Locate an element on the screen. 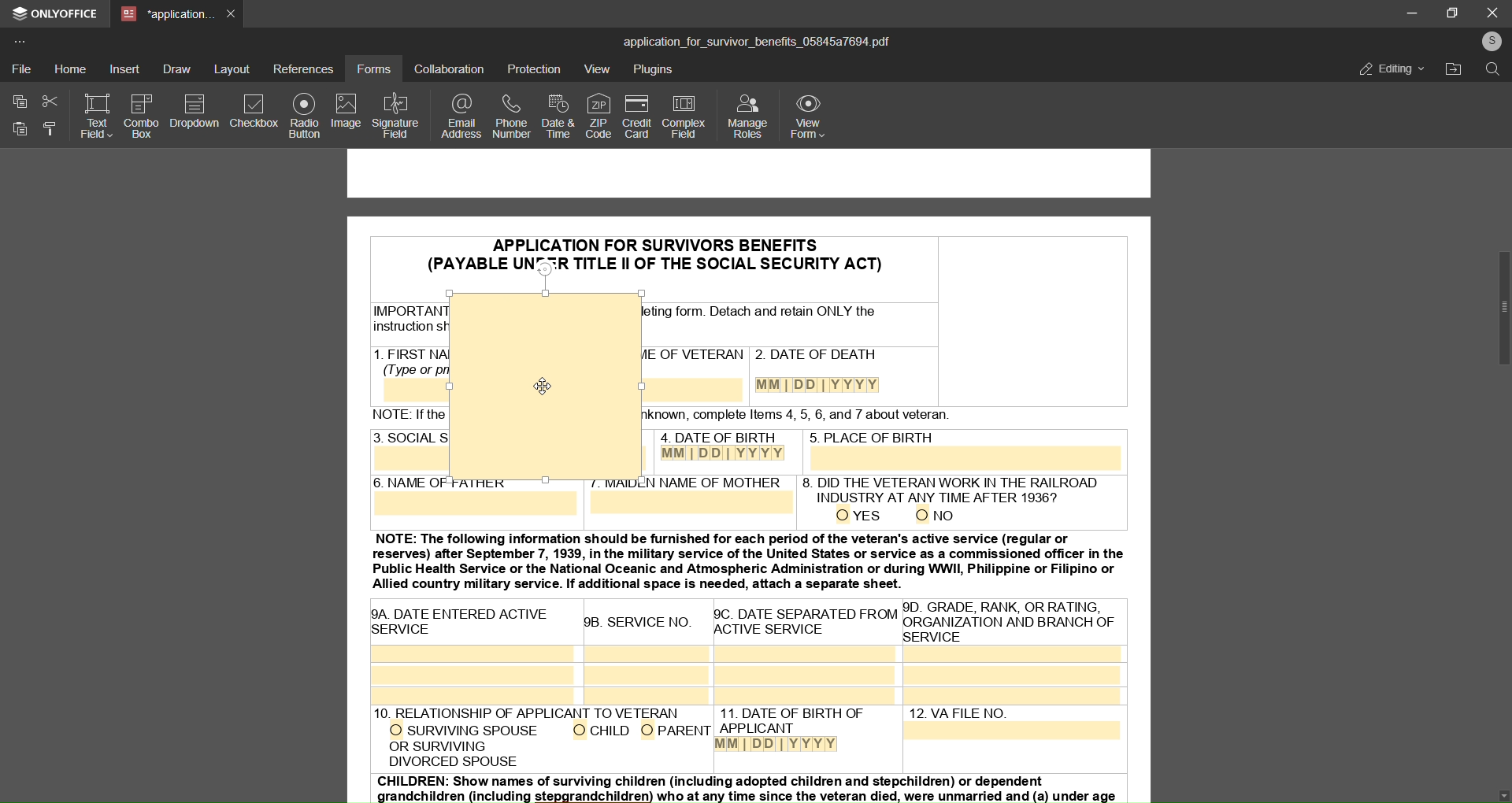 Image resolution: width=1512 pixels, height=803 pixels. user is located at coordinates (1490, 41).